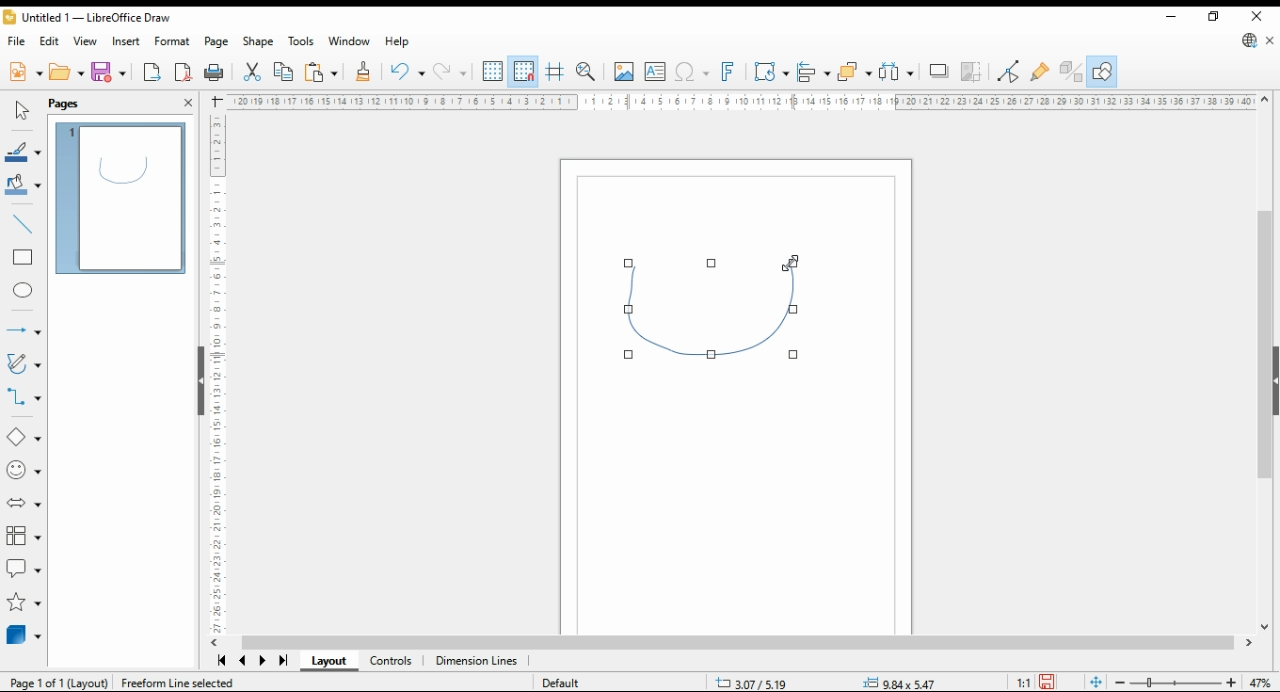  What do you see at coordinates (1256, 14) in the screenshot?
I see `close window` at bounding box center [1256, 14].